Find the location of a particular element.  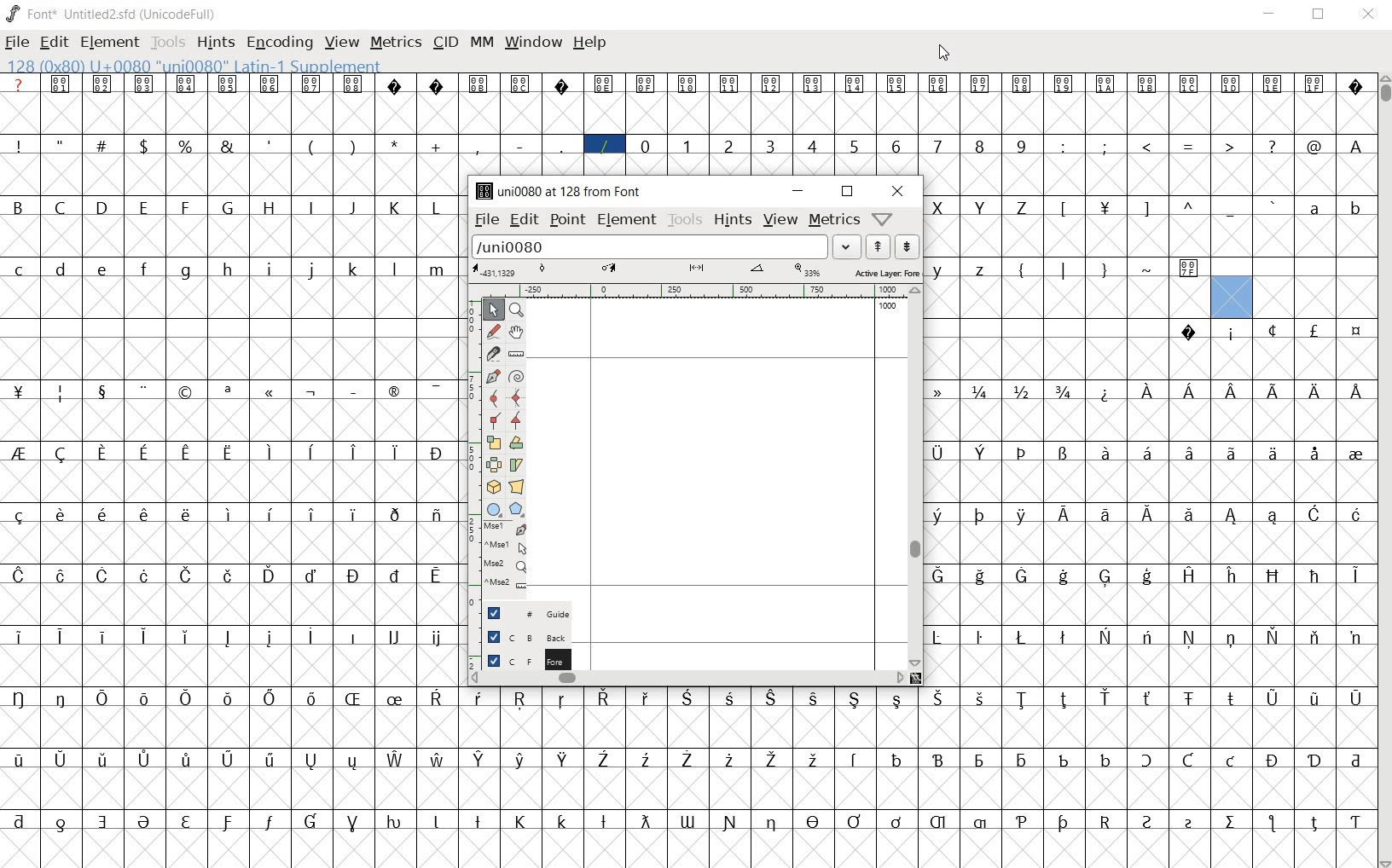

point is located at coordinates (567, 219).